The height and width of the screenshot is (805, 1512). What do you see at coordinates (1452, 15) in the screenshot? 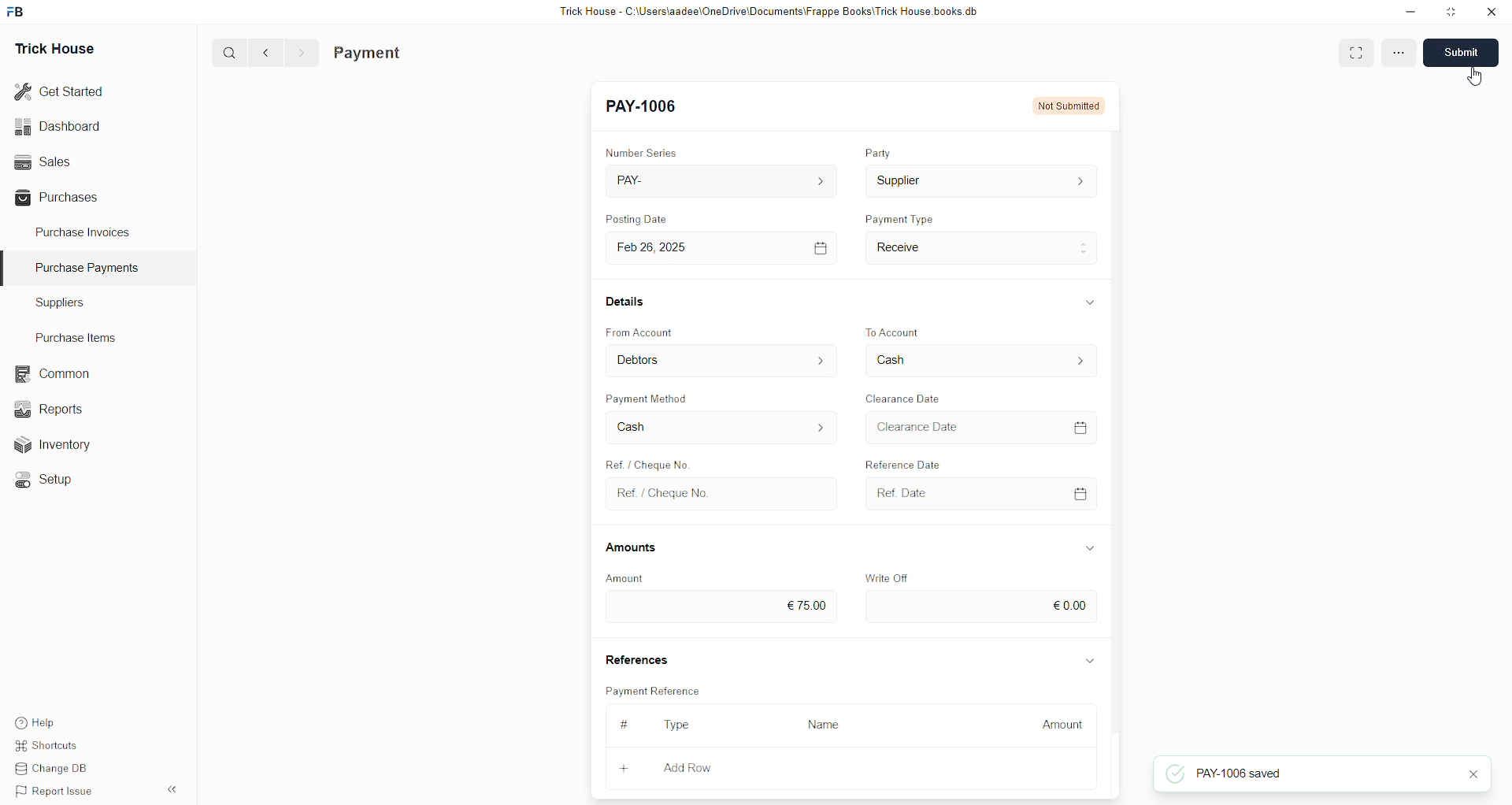
I see `Maximize` at bounding box center [1452, 15].